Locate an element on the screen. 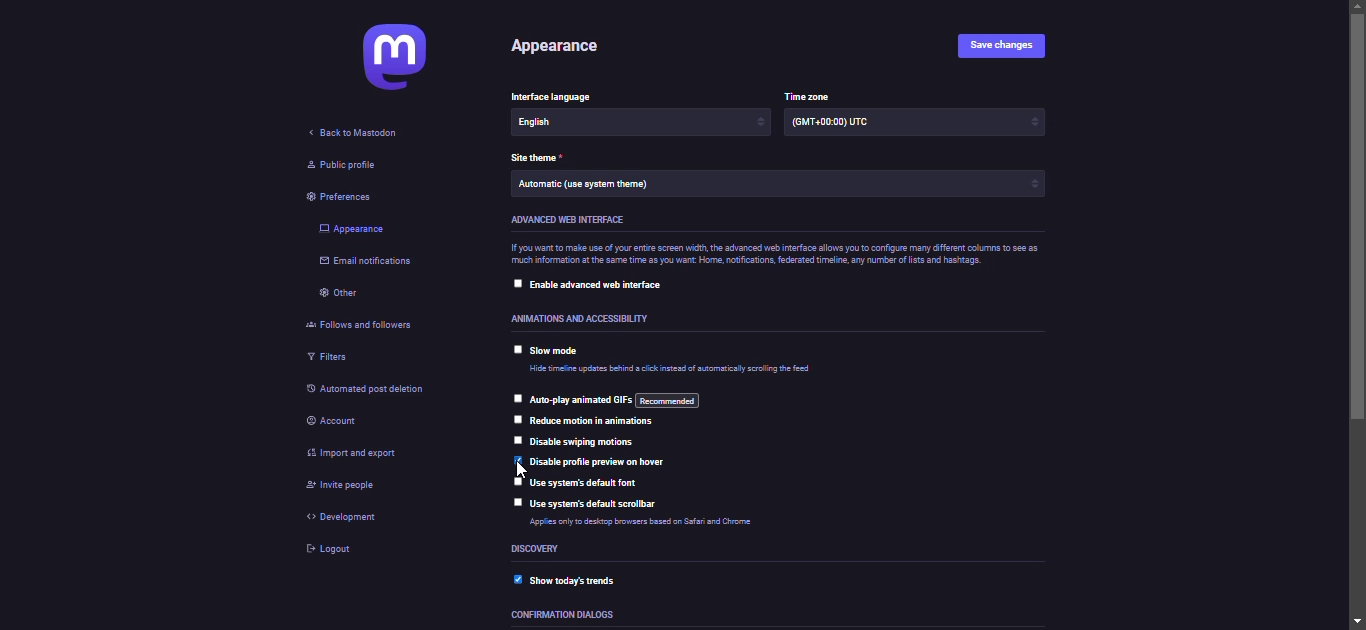 This screenshot has height=630, width=1366. click to select is located at coordinates (516, 348).